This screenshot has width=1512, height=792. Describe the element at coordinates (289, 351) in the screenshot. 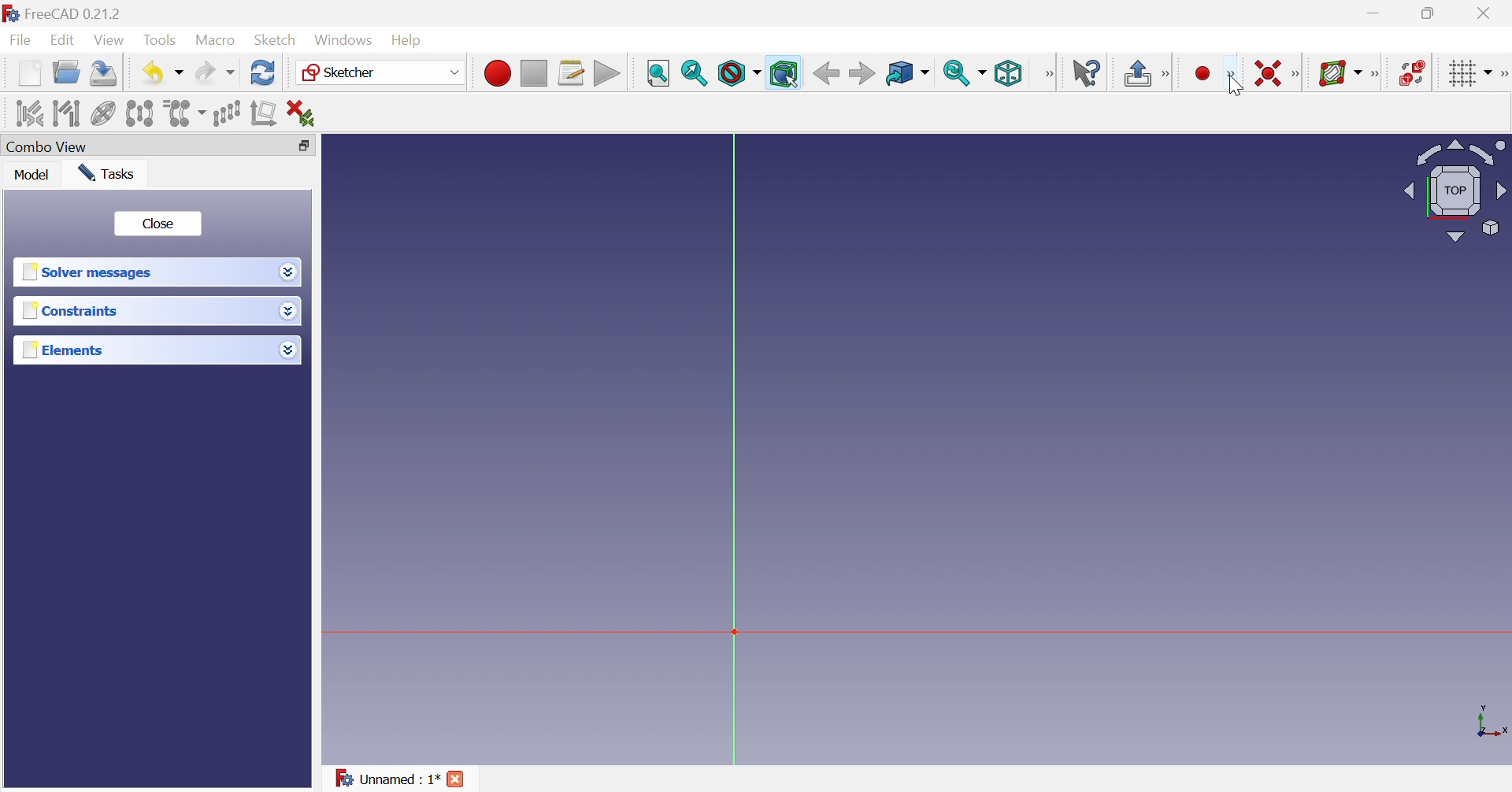

I see `Drop down` at that location.